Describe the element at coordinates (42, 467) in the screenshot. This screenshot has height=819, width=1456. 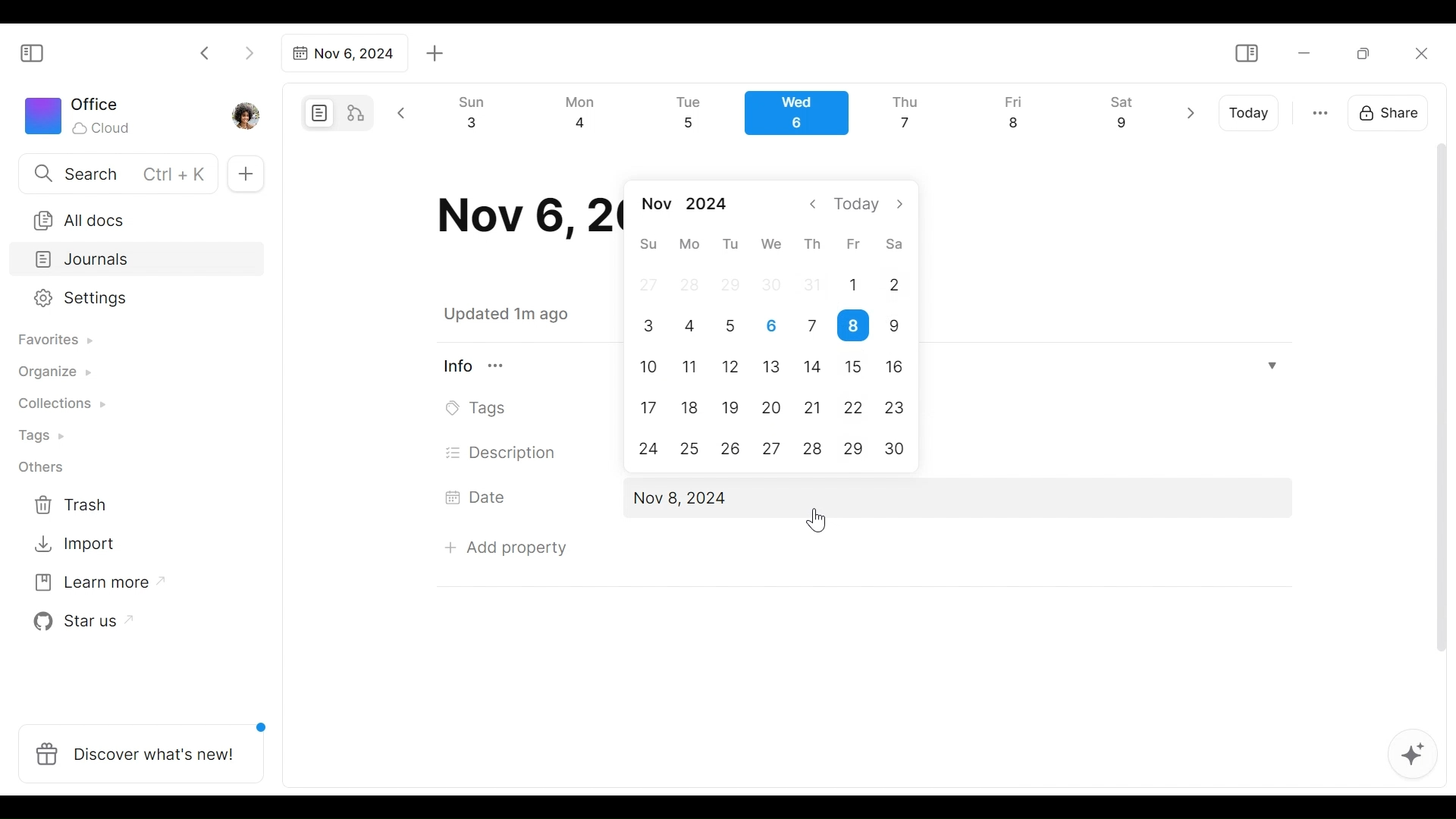
I see `Others` at that location.